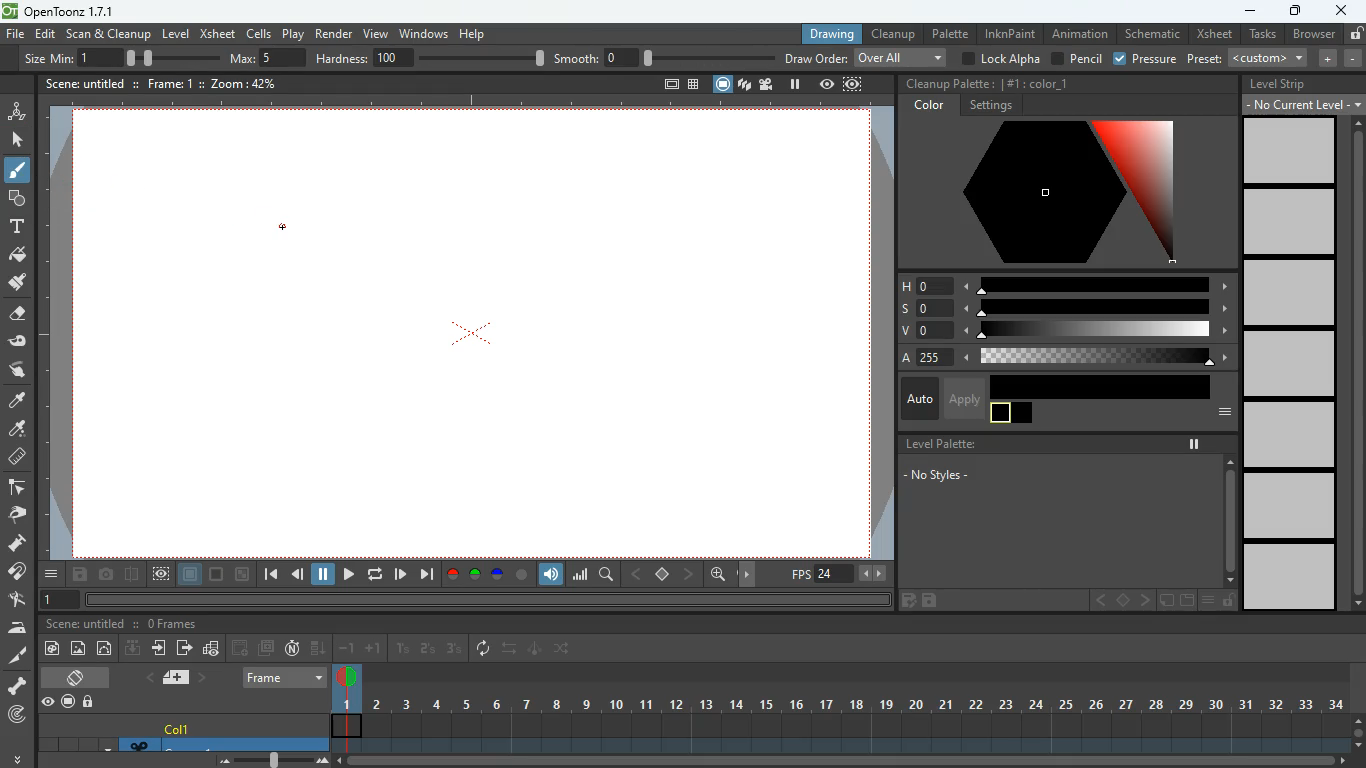 The height and width of the screenshot is (768, 1366). What do you see at coordinates (1144, 601) in the screenshot?
I see `right` at bounding box center [1144, 601].